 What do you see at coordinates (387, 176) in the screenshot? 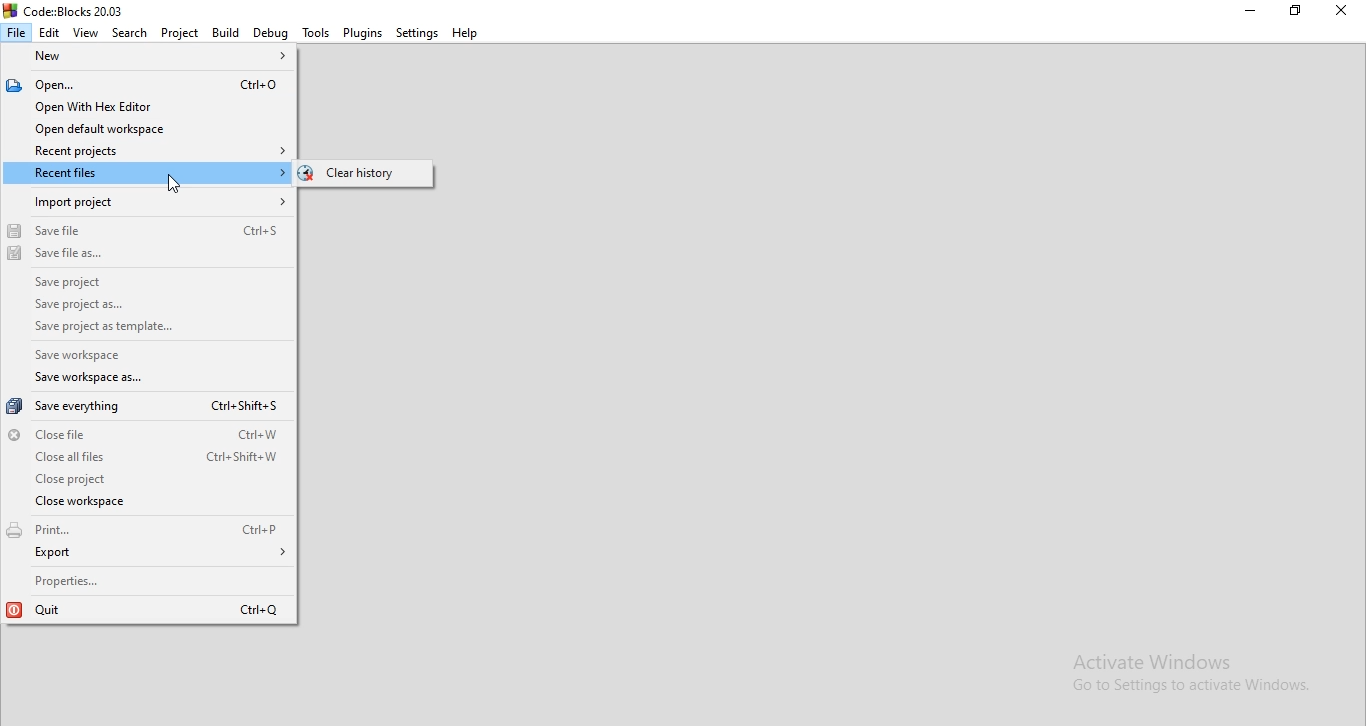
I see `Clear history` at bounding box center [387, 176].